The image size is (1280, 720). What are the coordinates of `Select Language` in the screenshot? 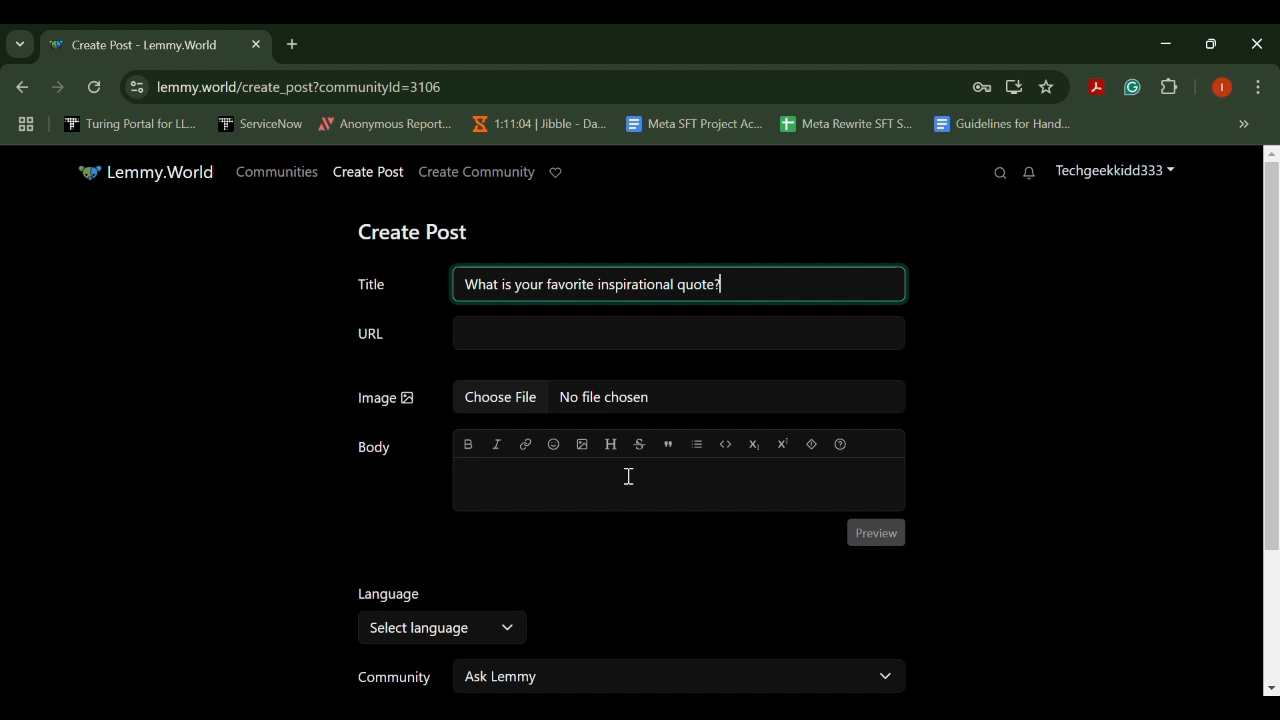 It's located at (440, 628).